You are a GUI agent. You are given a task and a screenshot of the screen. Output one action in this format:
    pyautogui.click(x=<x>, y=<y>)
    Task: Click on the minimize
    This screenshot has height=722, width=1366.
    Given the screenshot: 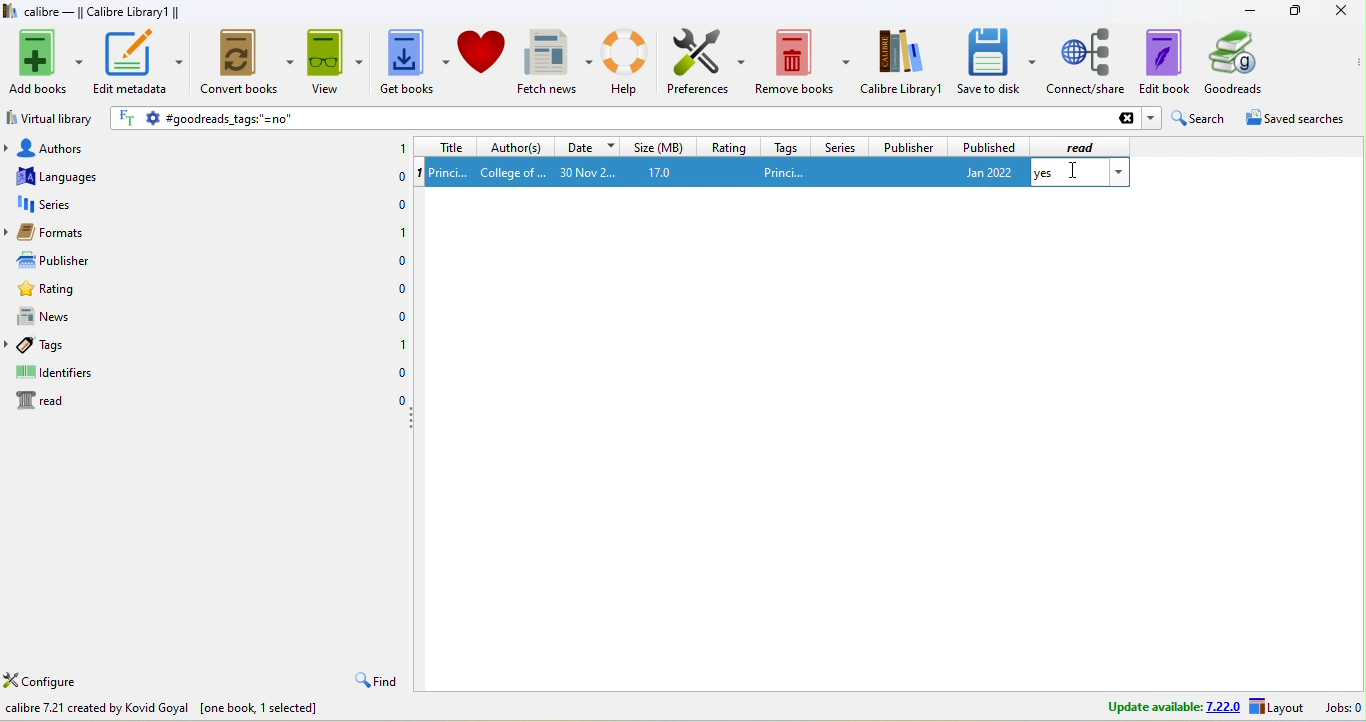 What is the action you would take?
    pyautogui.click(x=1248, y=11)
    